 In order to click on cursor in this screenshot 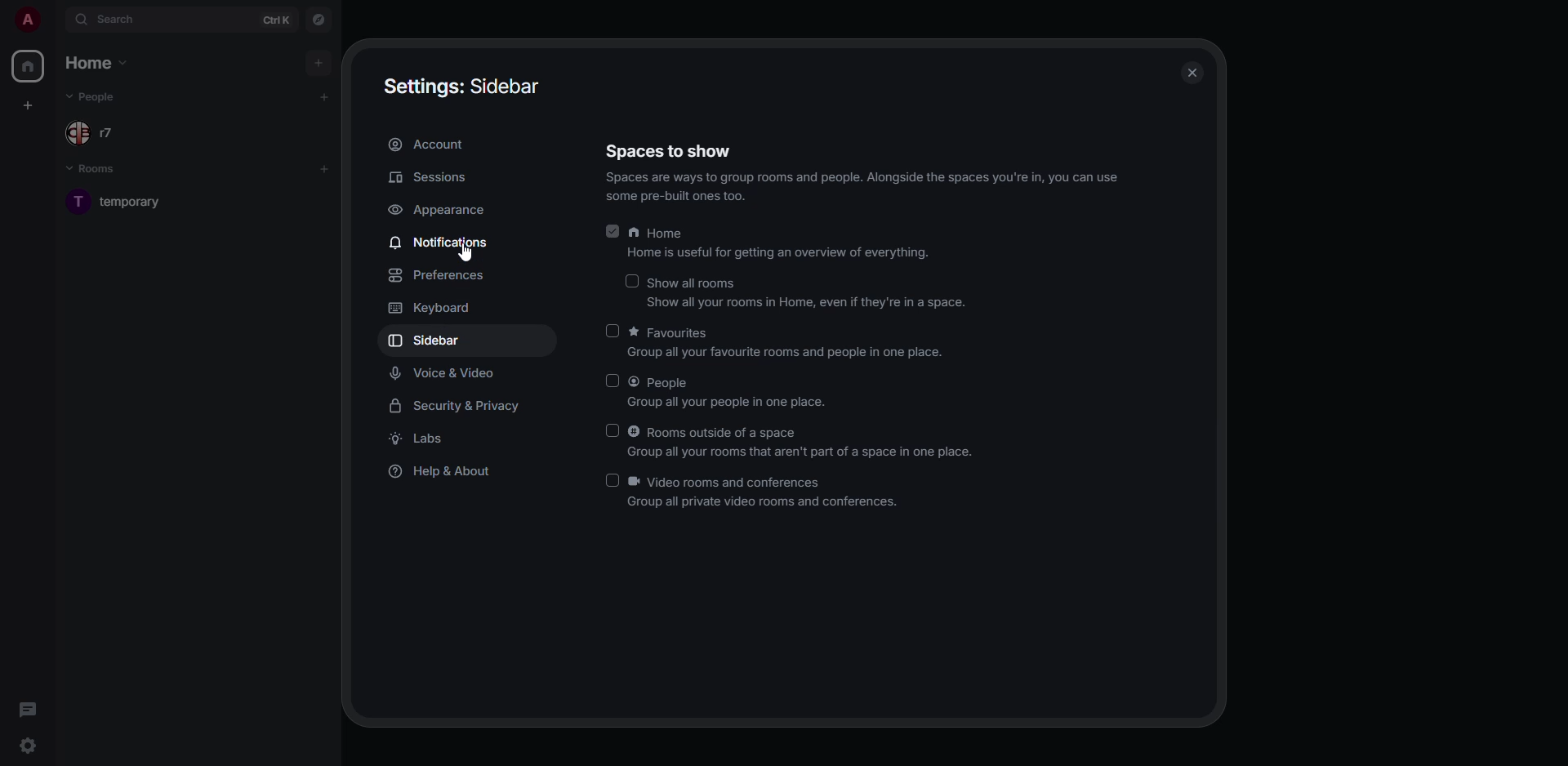, I will do `click(466, 254)`.